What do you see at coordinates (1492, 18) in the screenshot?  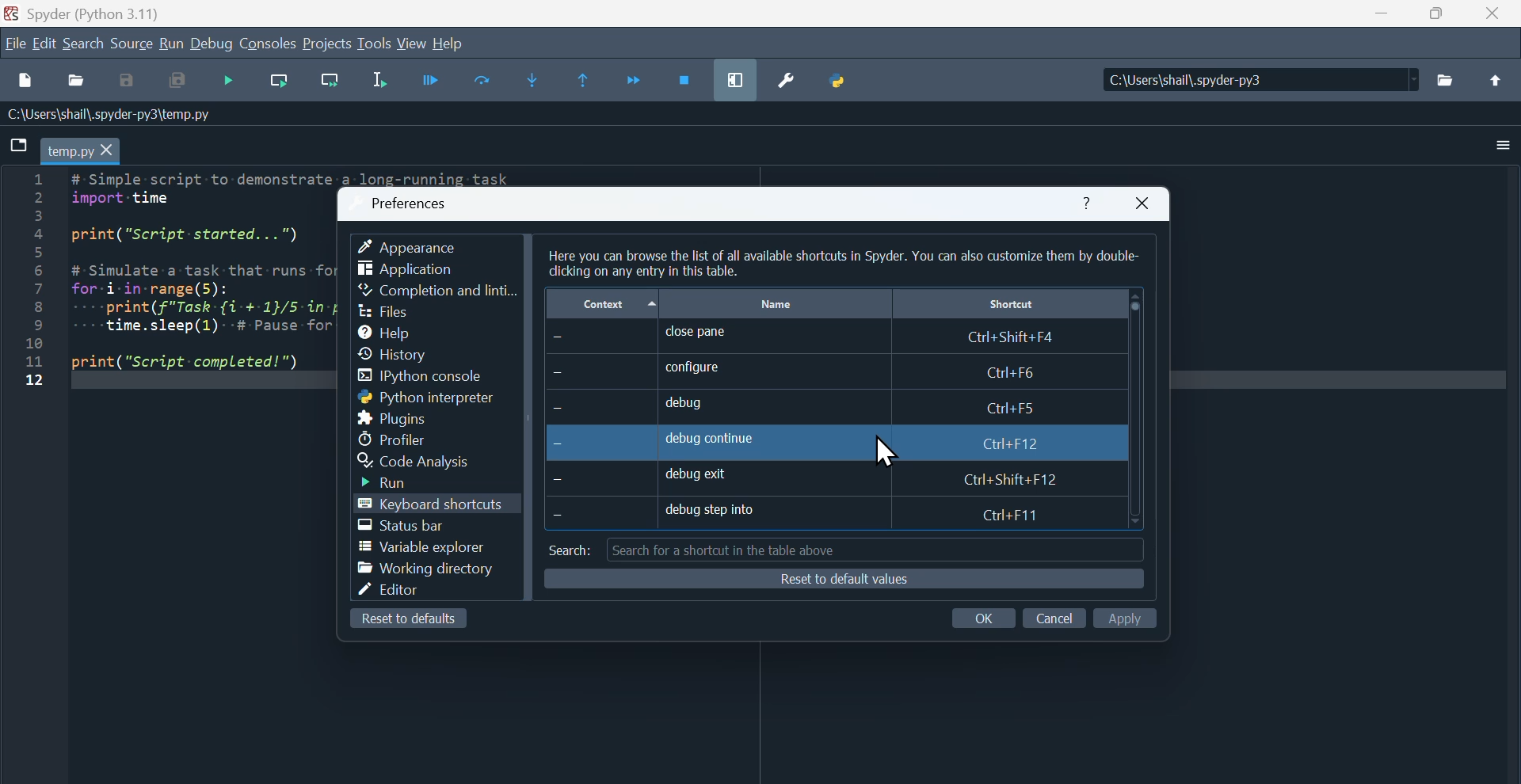 I see `close` at bounding box center [1492, 18].